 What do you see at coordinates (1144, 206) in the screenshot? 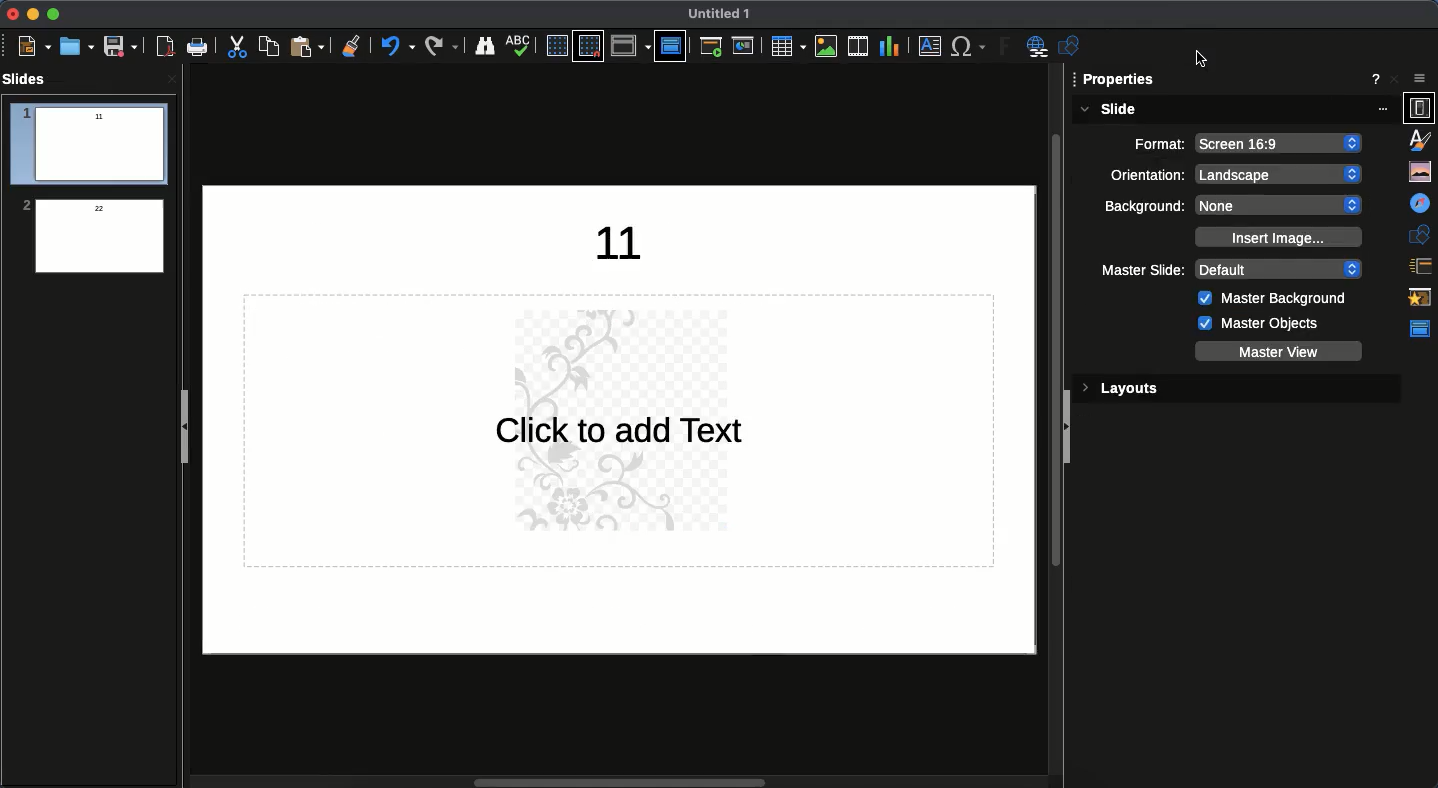
I see `Background` at bounding box center [1144, 206].